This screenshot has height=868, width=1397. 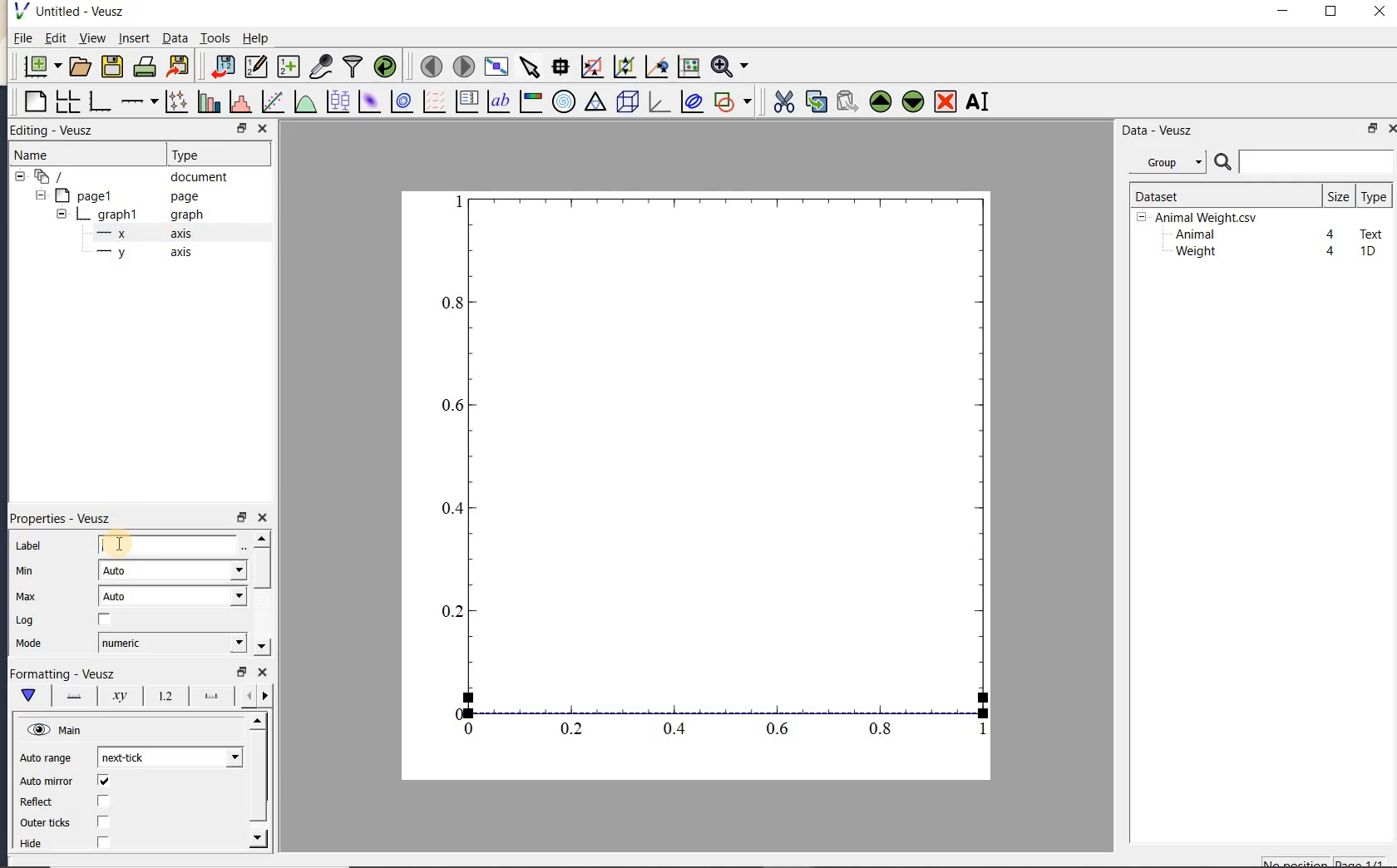 I want to click on hide, so click(x=41, y=844).